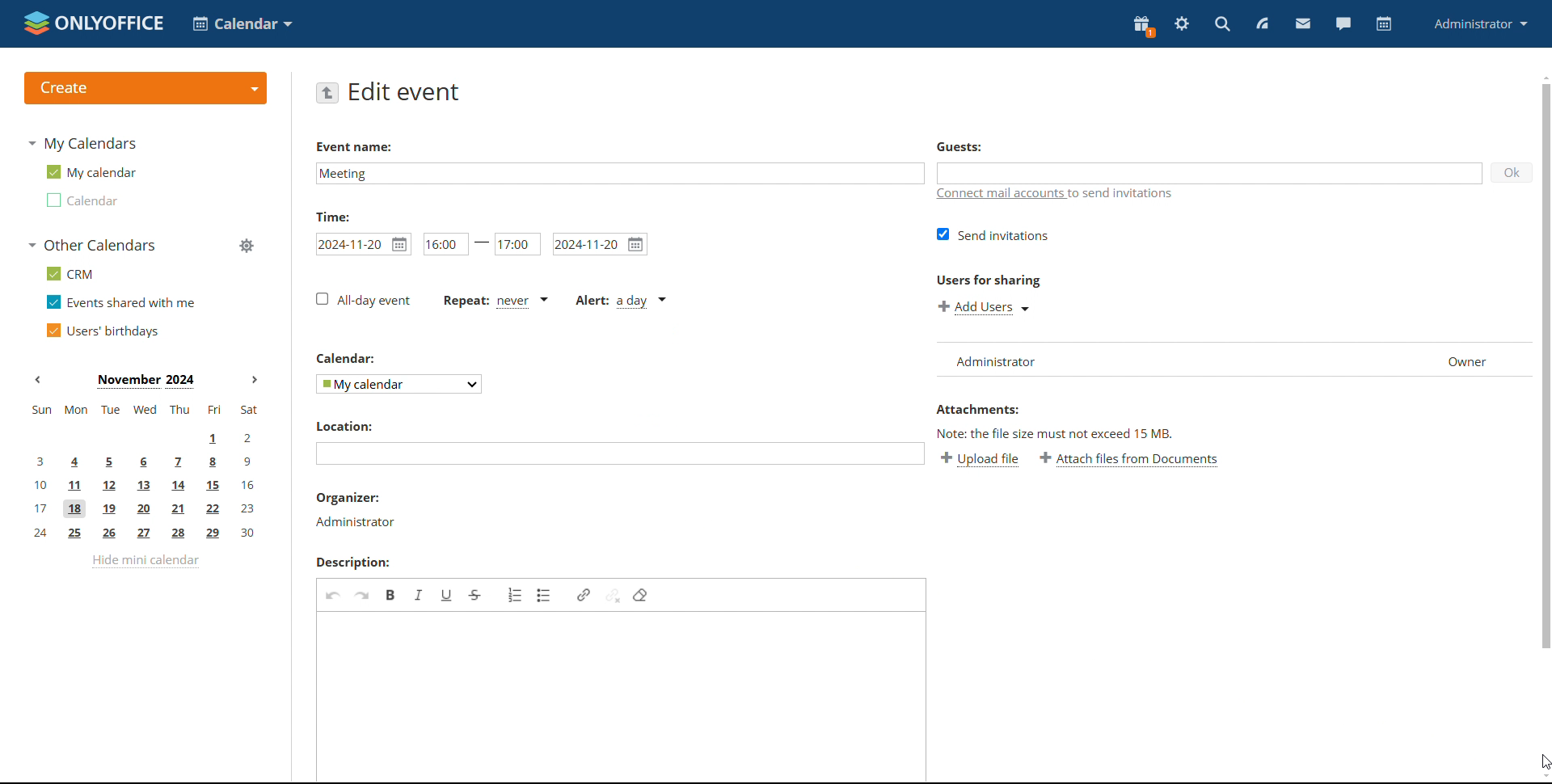  I want to click on end date, so click(600, 245).